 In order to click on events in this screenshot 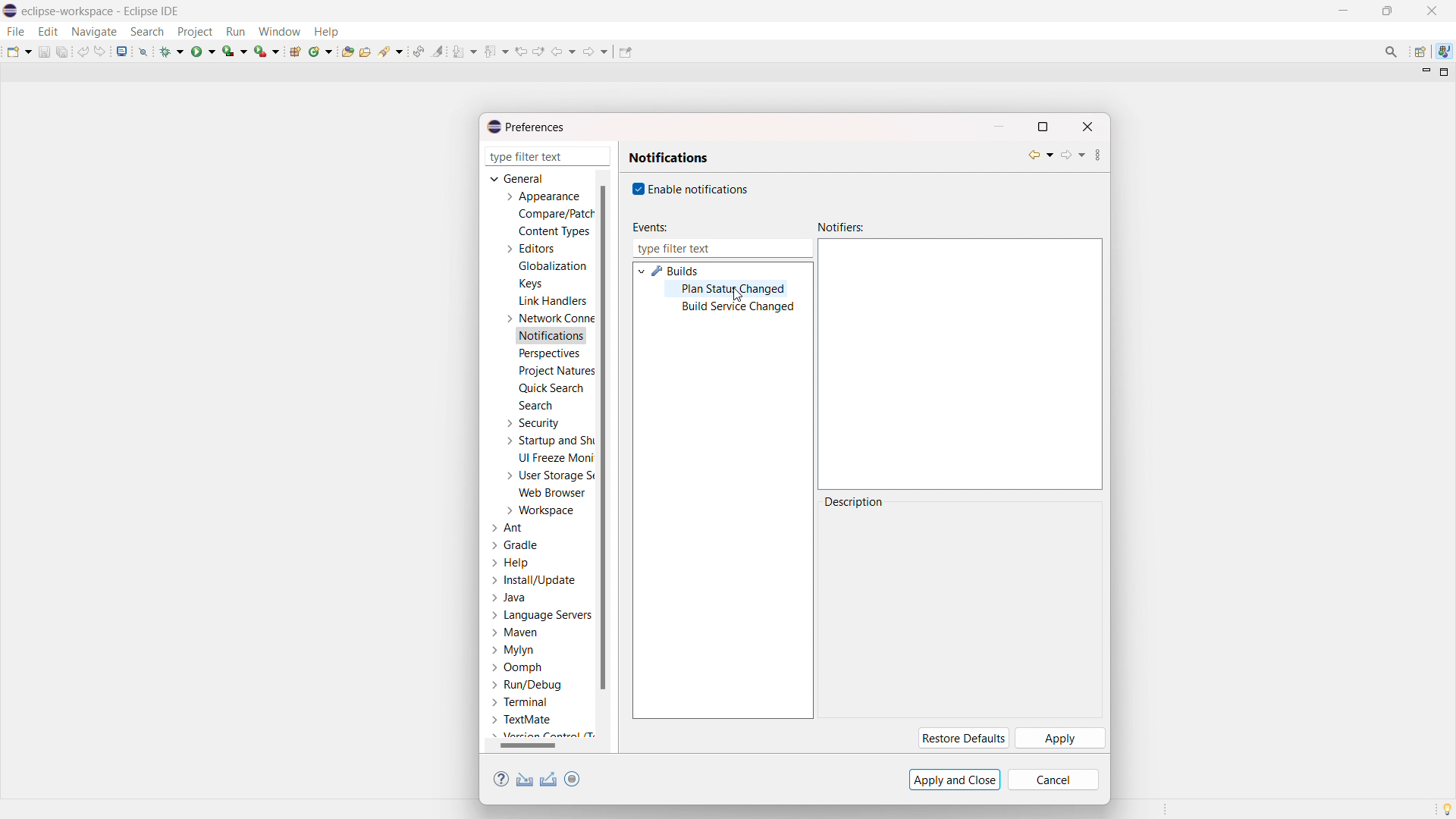, I will do `click(648, 227)`.